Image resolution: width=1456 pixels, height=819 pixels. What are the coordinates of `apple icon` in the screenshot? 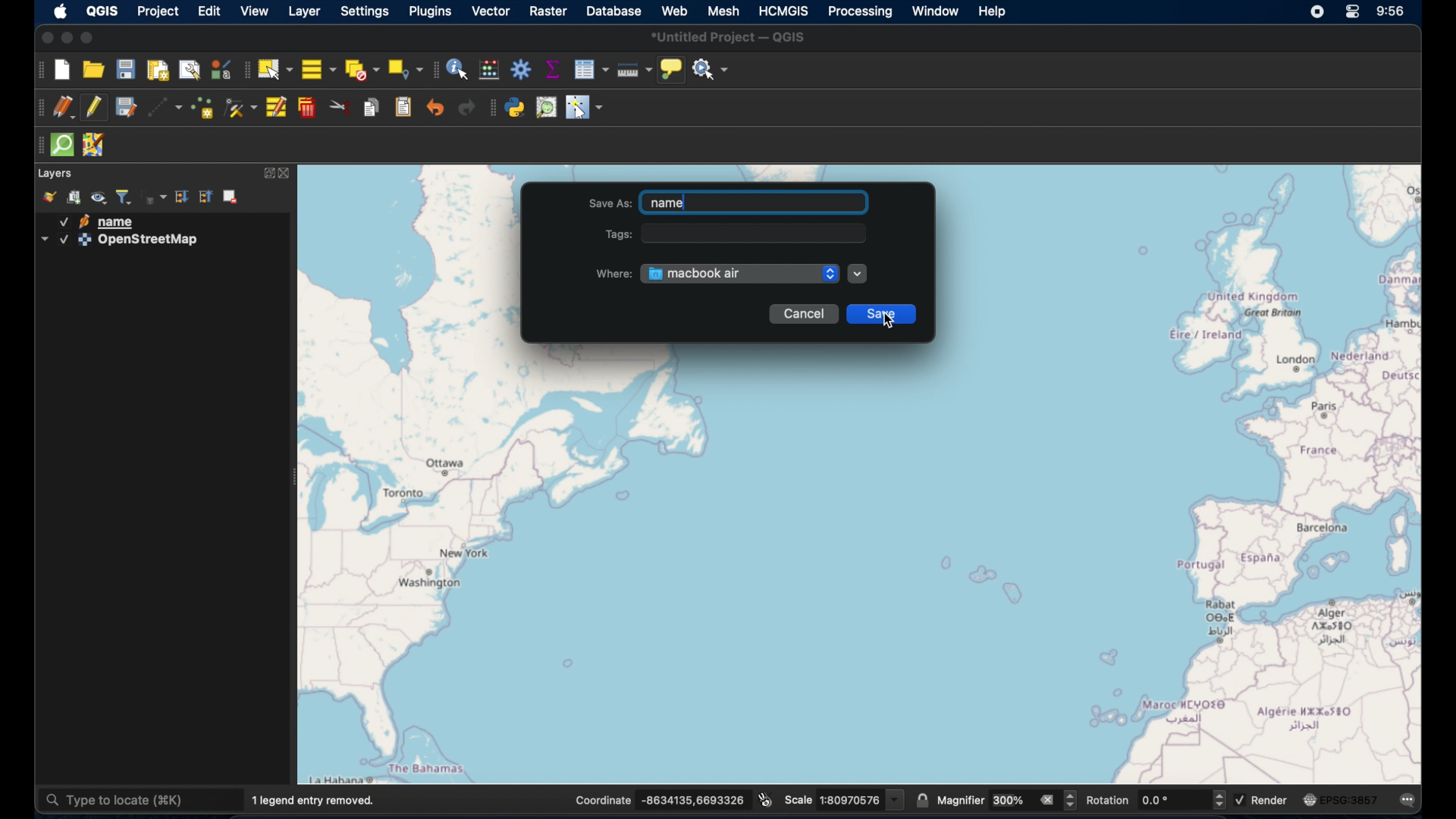 It's located at (61, 12).